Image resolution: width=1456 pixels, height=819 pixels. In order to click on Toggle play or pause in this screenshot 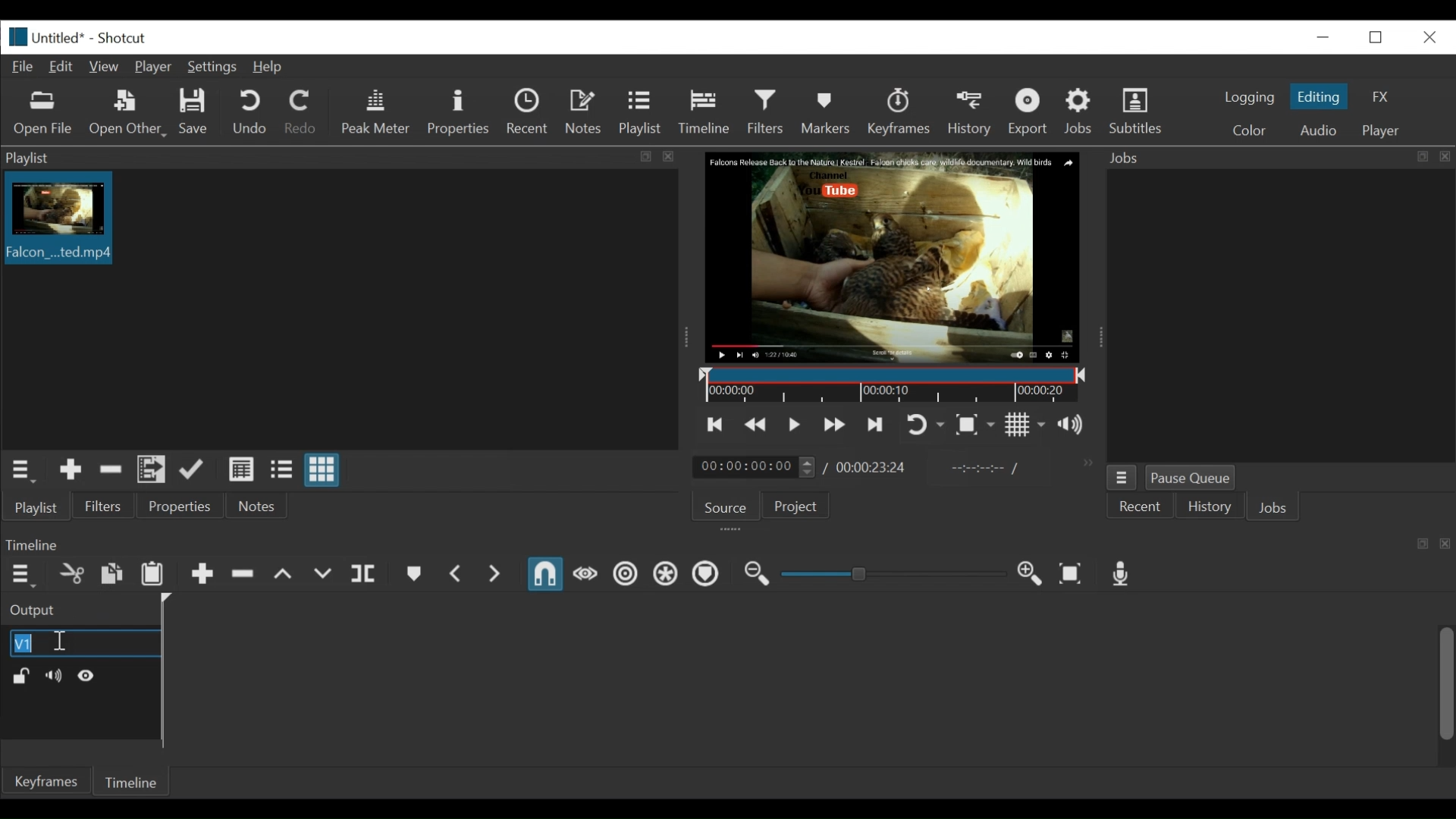, I will do `click(795, 425)`.